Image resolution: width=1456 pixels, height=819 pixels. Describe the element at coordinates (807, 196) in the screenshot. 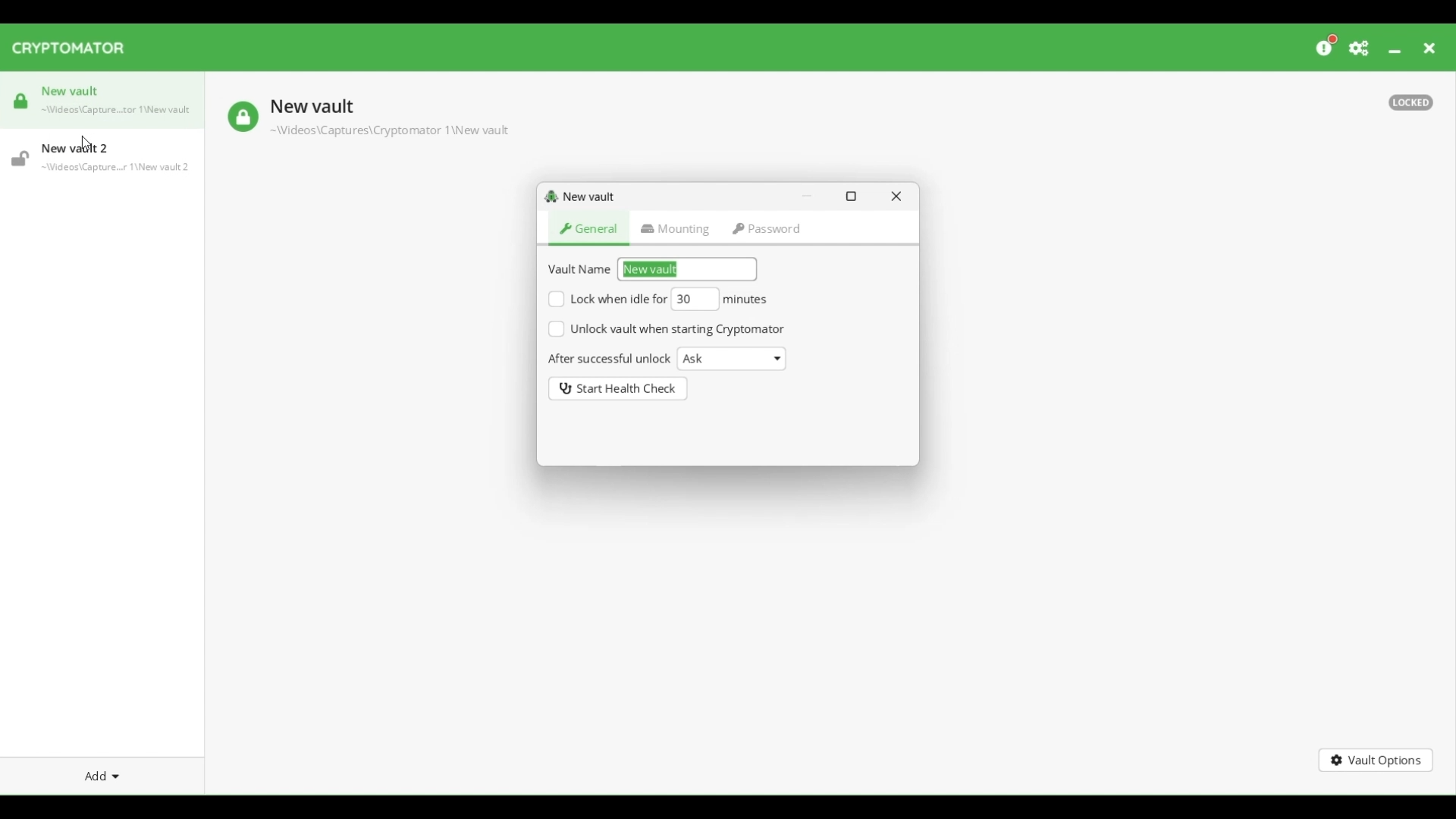

I see `Minimize` at that location.